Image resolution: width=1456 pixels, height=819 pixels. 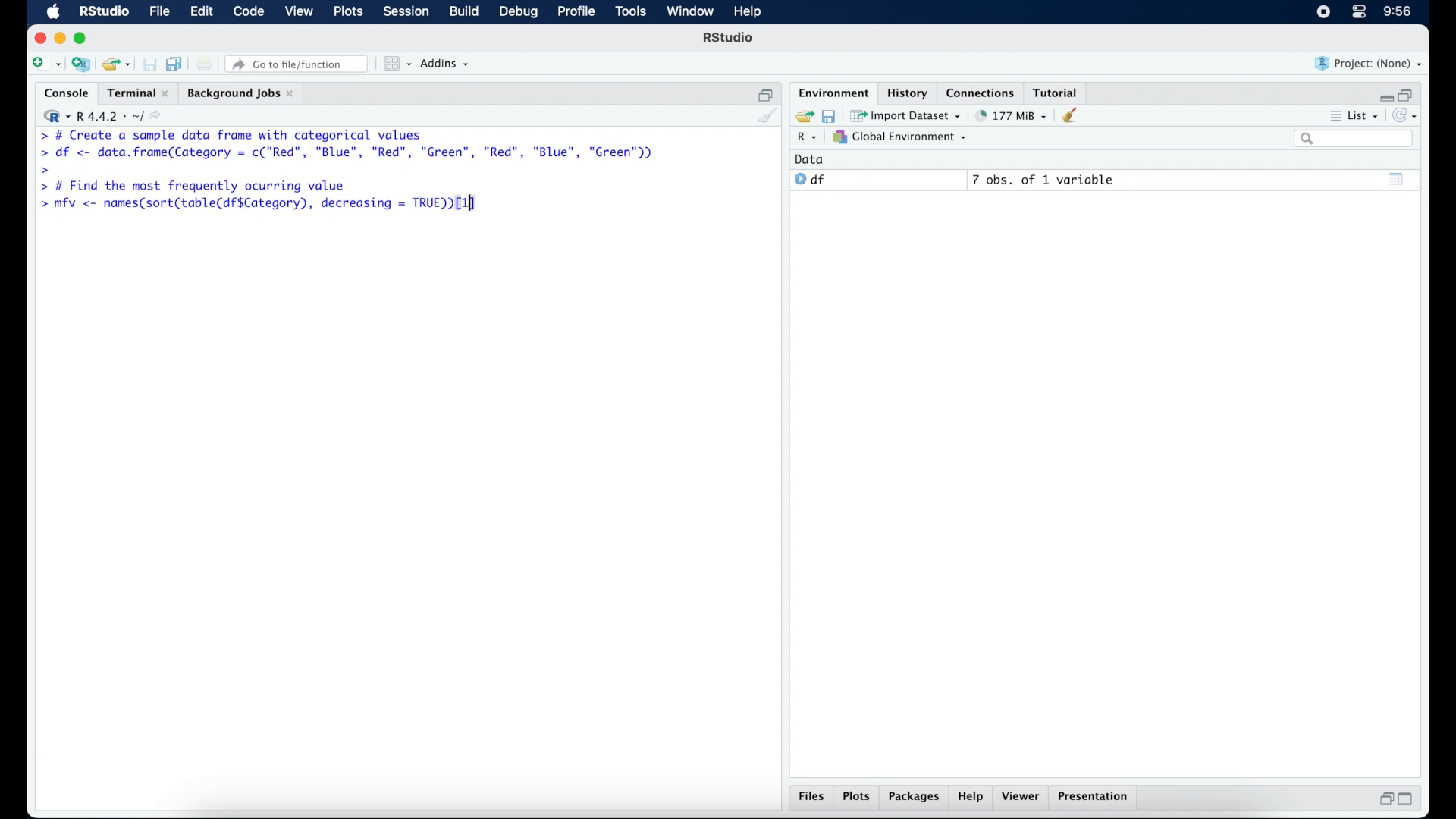 What do you see at coordinates (1398, 181) in the screenshot?
I see `show output window` at bounding box center [1398, 181].